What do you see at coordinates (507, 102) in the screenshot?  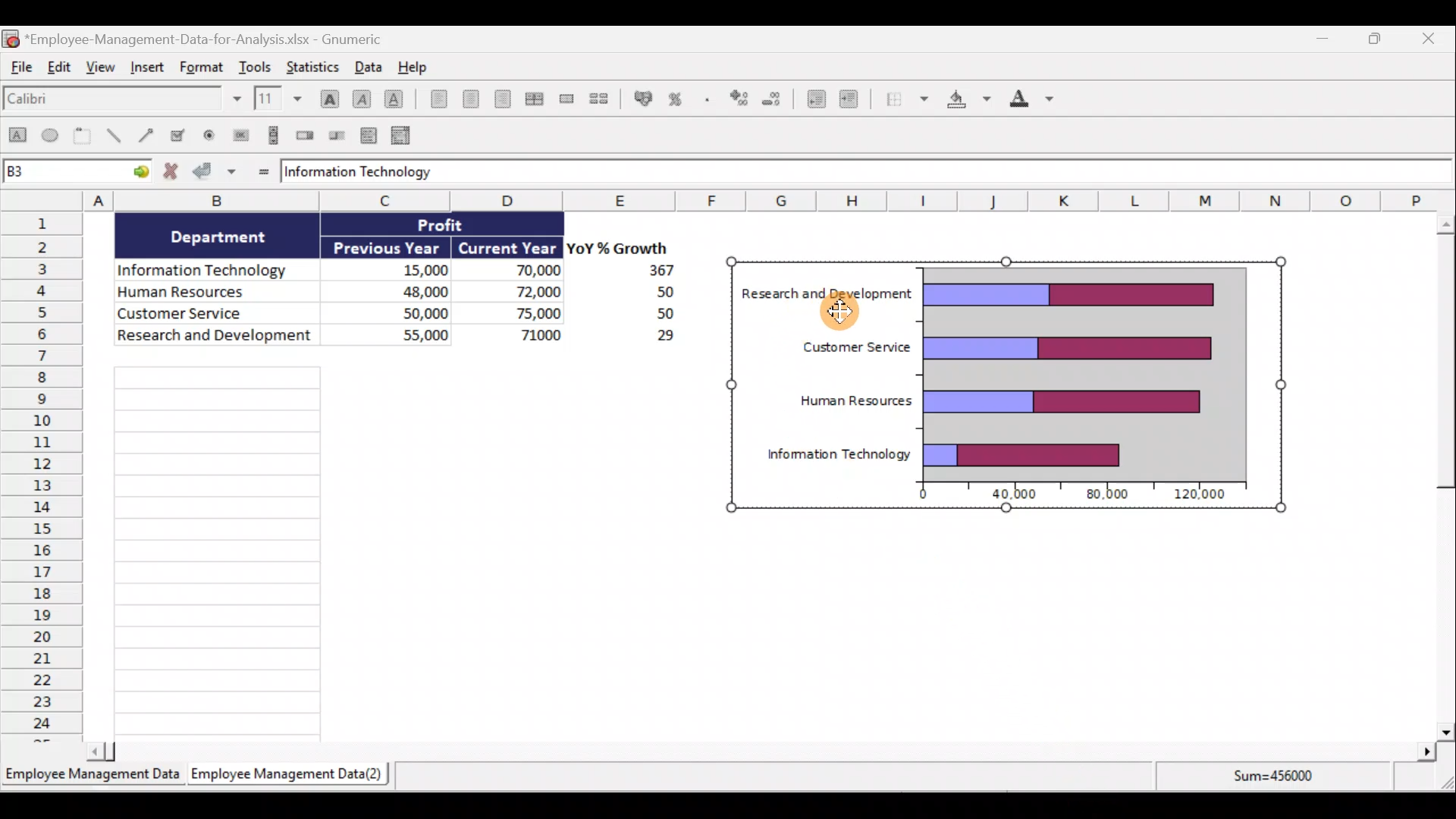 I see `Align right` at bounding box center [507, 102].